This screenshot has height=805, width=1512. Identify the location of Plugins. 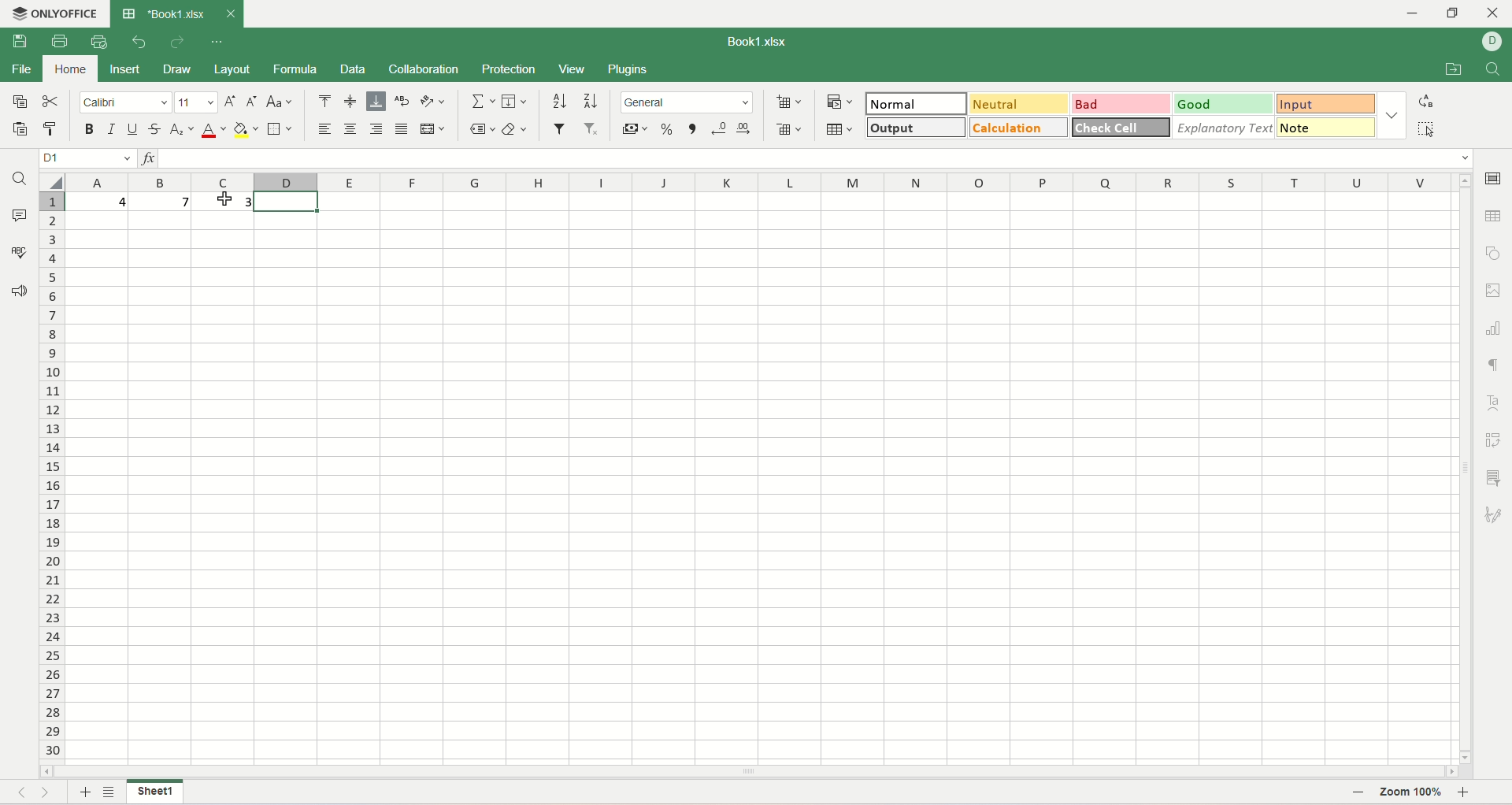
(629, 69).